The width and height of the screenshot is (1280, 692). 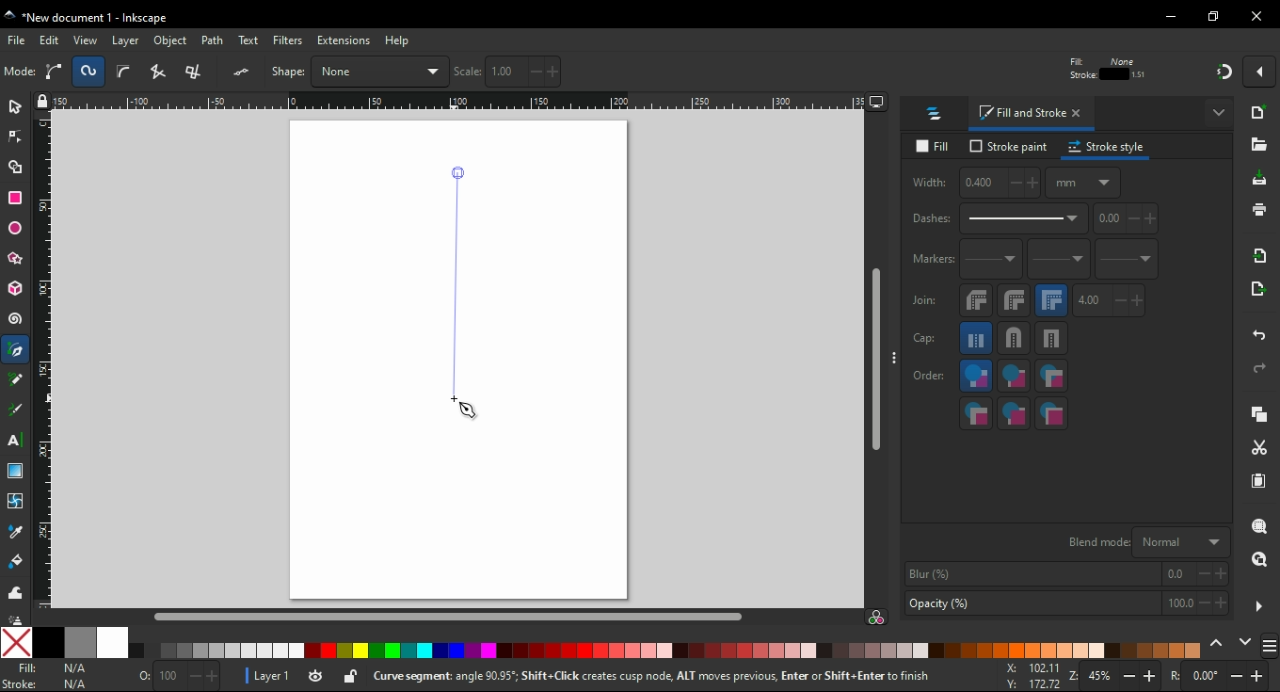 I want to click on snap options, so click(x=1262, y=70).